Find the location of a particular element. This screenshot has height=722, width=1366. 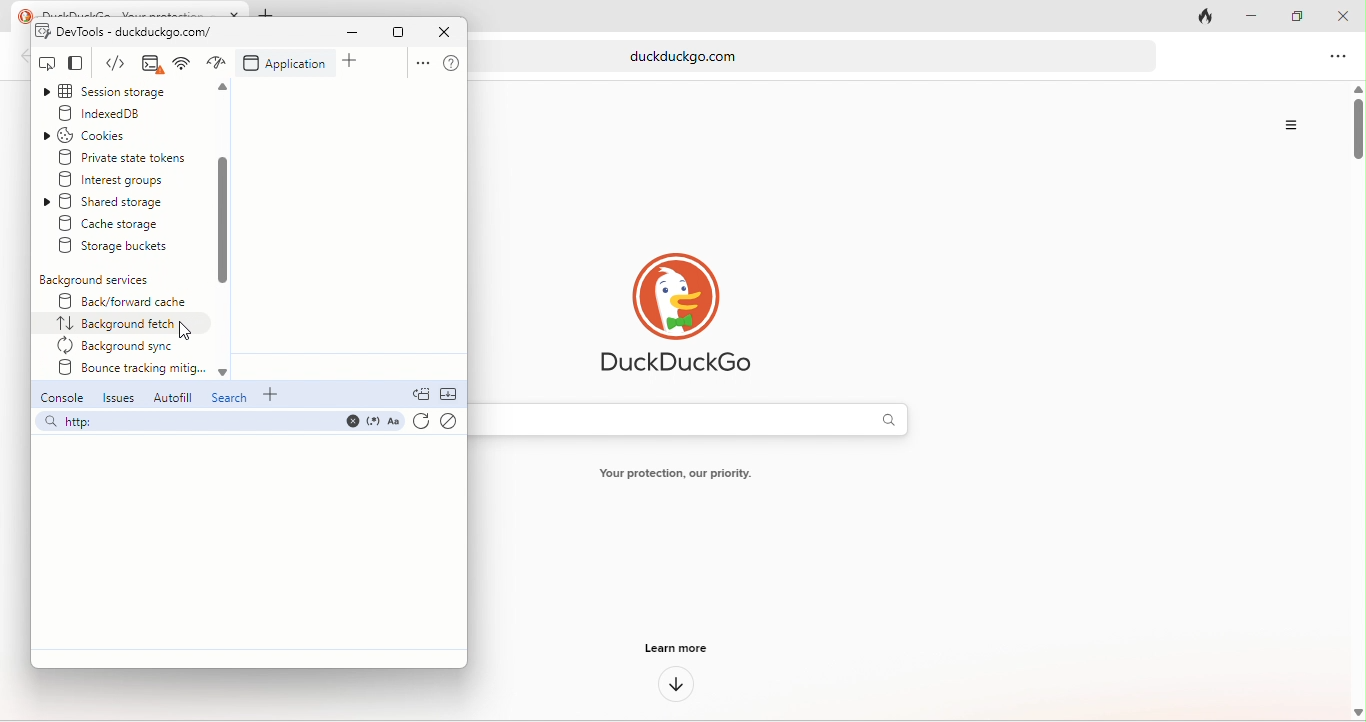

bounce tracking mitig is located at coordinates (128, 371).